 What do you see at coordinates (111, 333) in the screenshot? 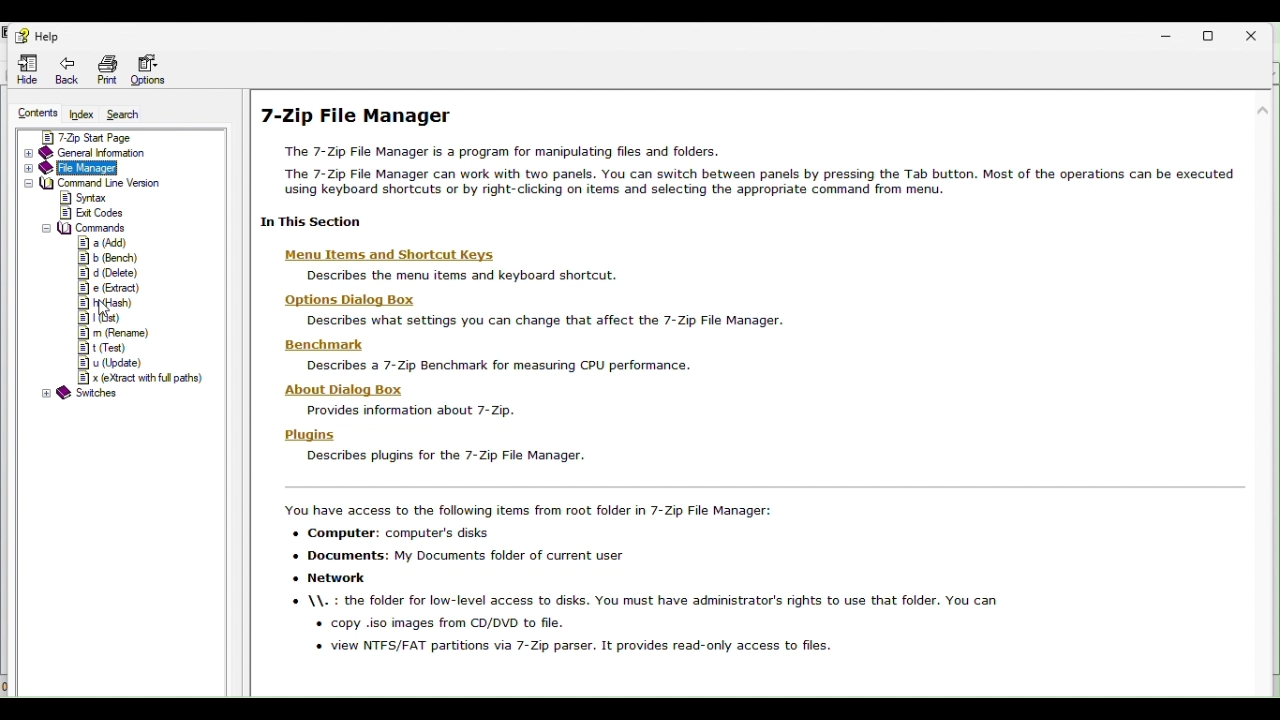
I see `m(rename)` at bounding box center [111, 333].